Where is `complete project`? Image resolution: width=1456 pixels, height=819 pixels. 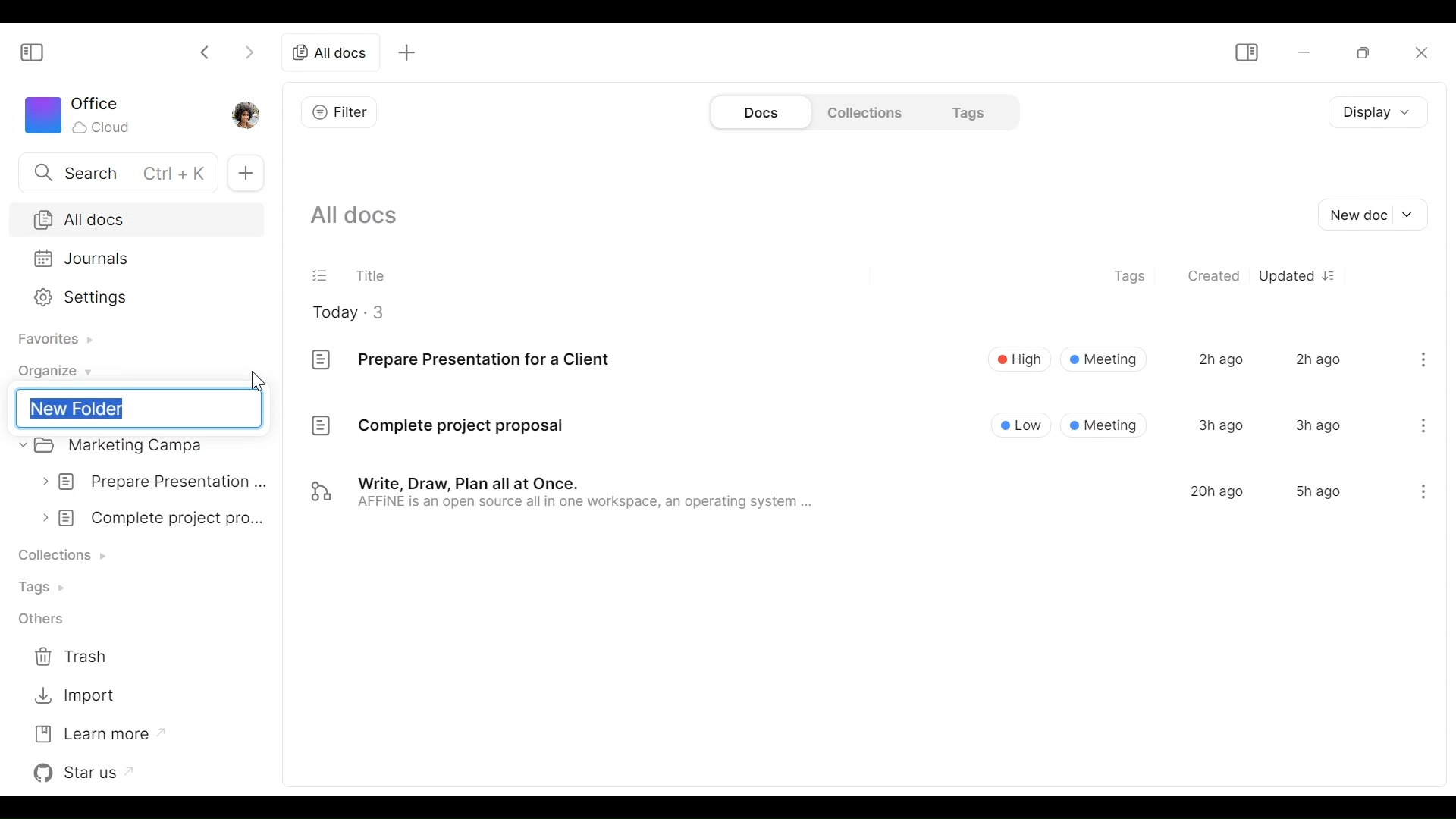
complete project is located at coordinates (156, 517).